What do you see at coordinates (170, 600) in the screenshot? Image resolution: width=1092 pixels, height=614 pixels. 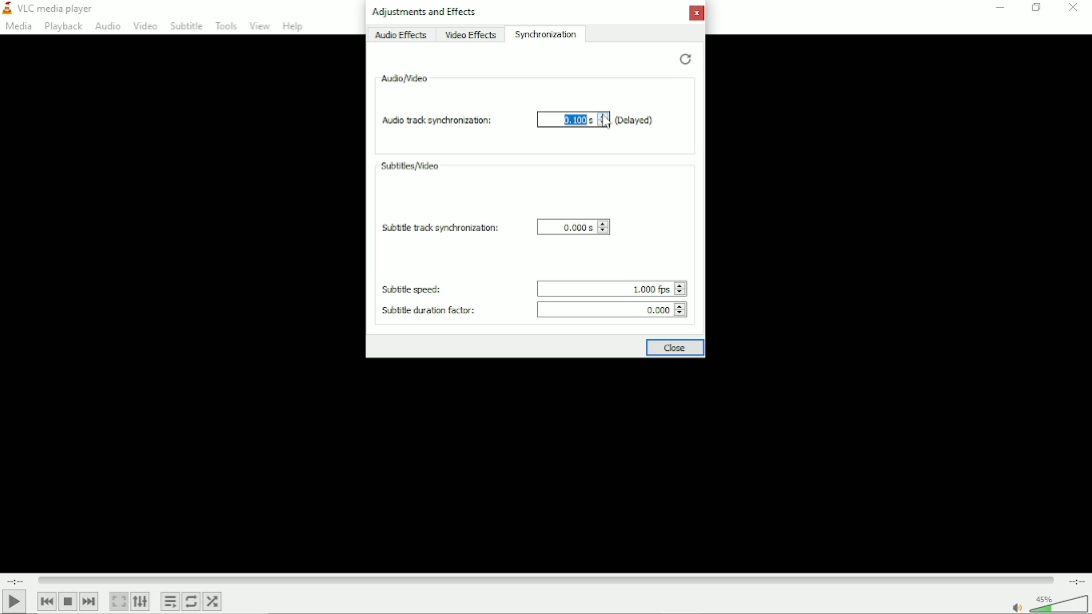 I see `Toggle playlist` at bounding box center [170, 600].